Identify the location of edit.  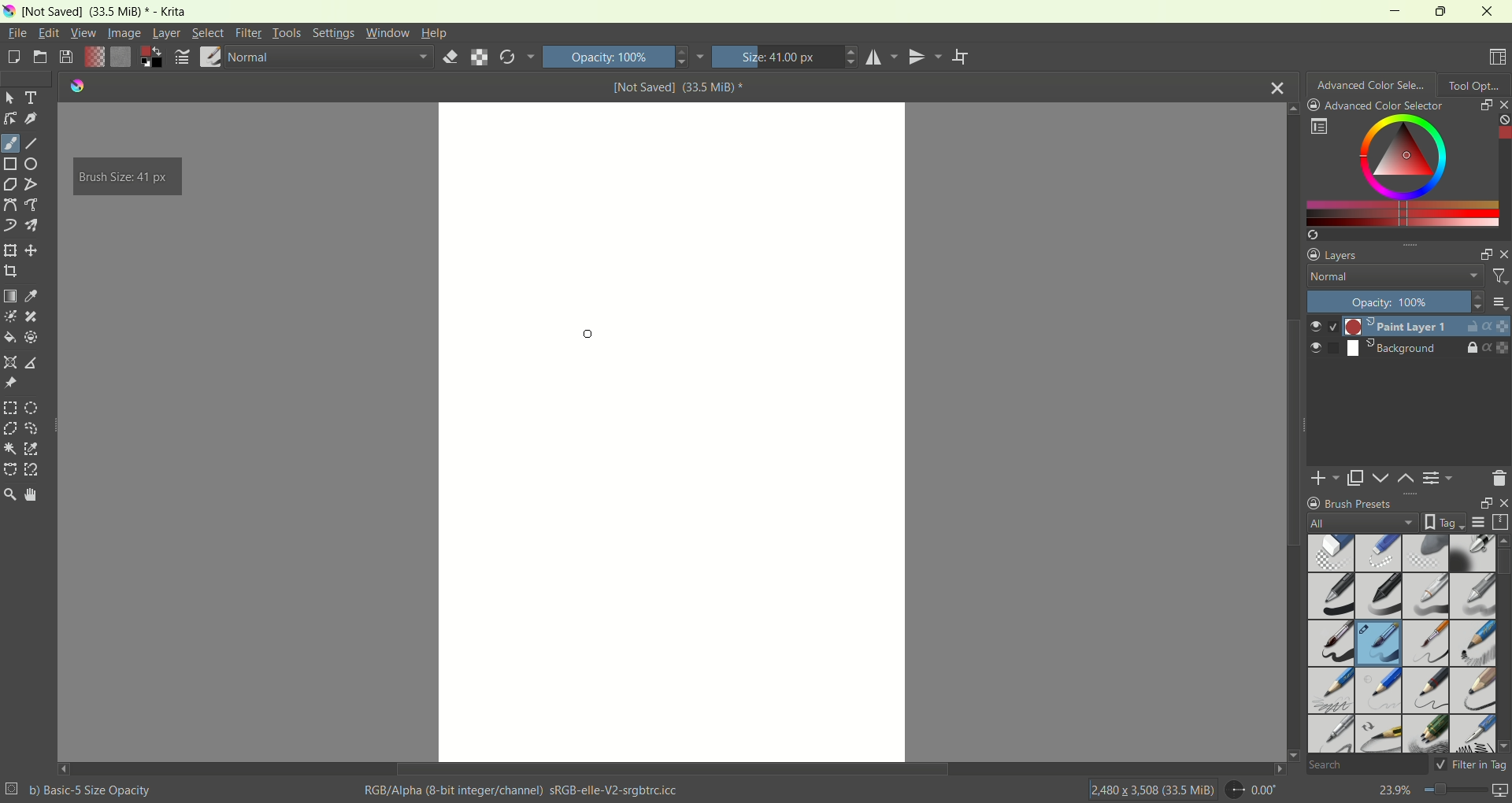
(48, 32).